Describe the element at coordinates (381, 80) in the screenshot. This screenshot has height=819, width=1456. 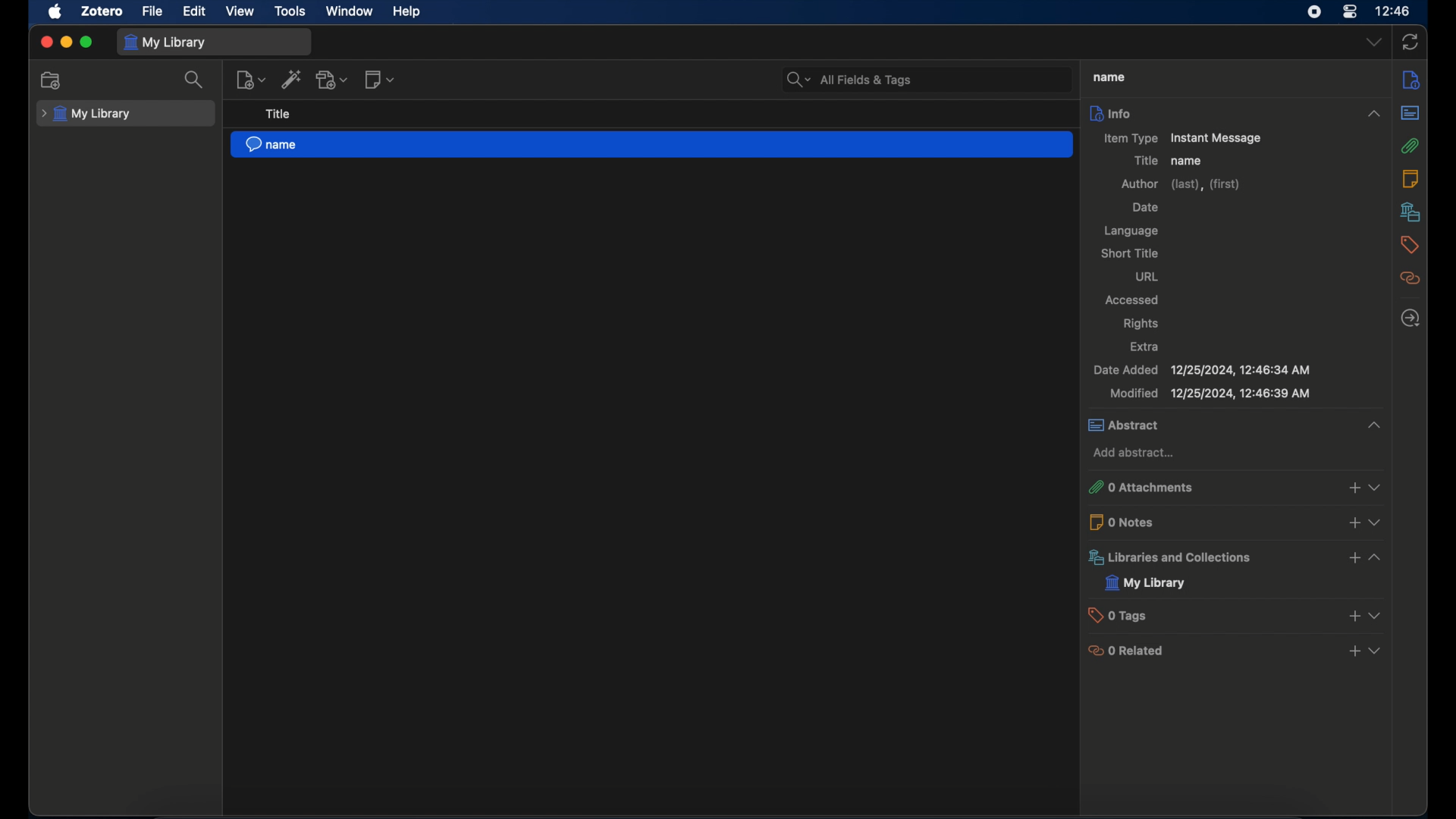
I see `new note` at that location.